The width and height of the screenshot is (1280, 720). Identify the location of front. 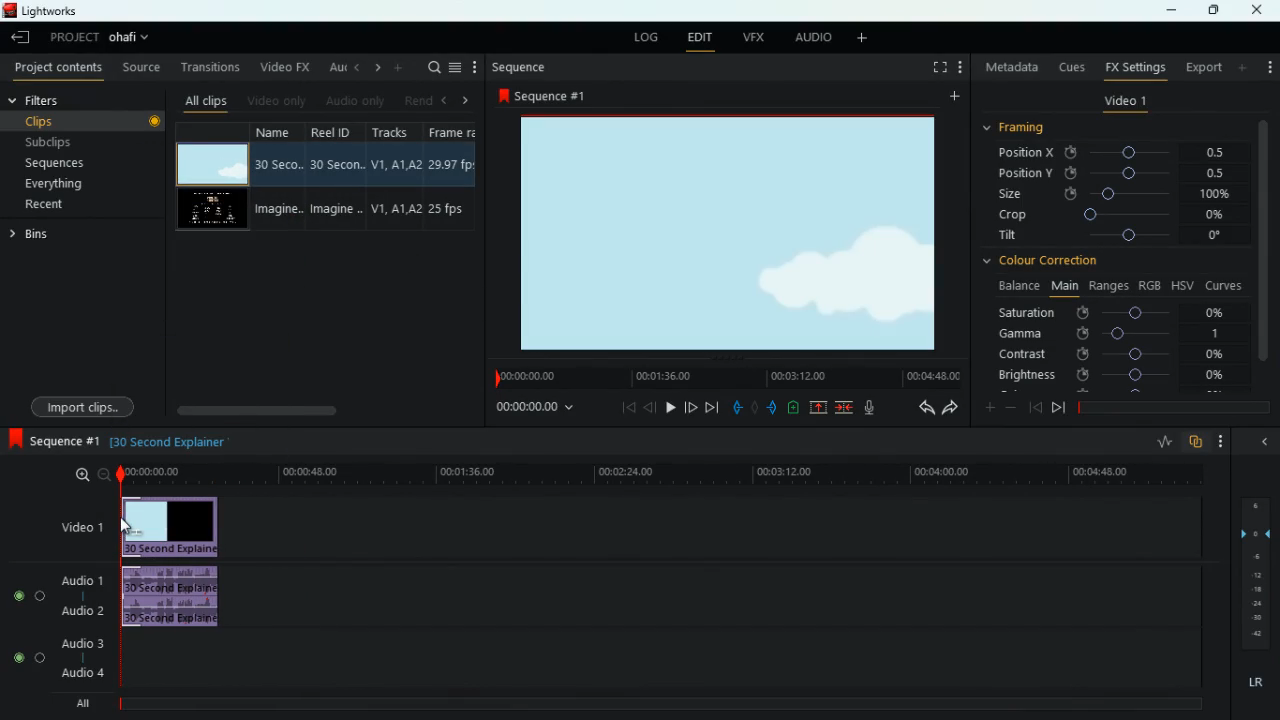
(692, 407).